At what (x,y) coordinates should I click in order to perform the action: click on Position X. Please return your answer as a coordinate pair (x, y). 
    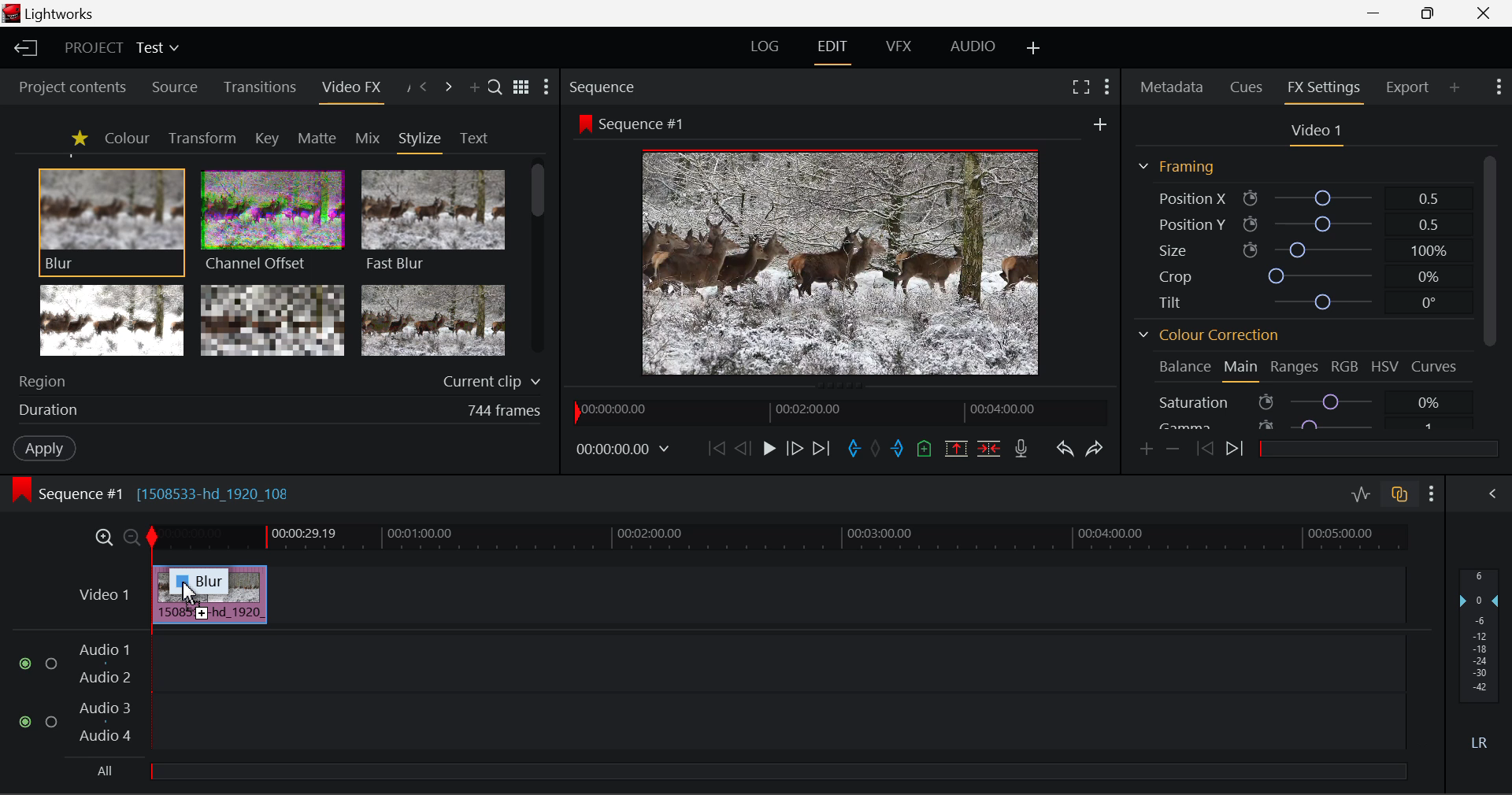
    Looking at the image, I should click on (1299, 197).